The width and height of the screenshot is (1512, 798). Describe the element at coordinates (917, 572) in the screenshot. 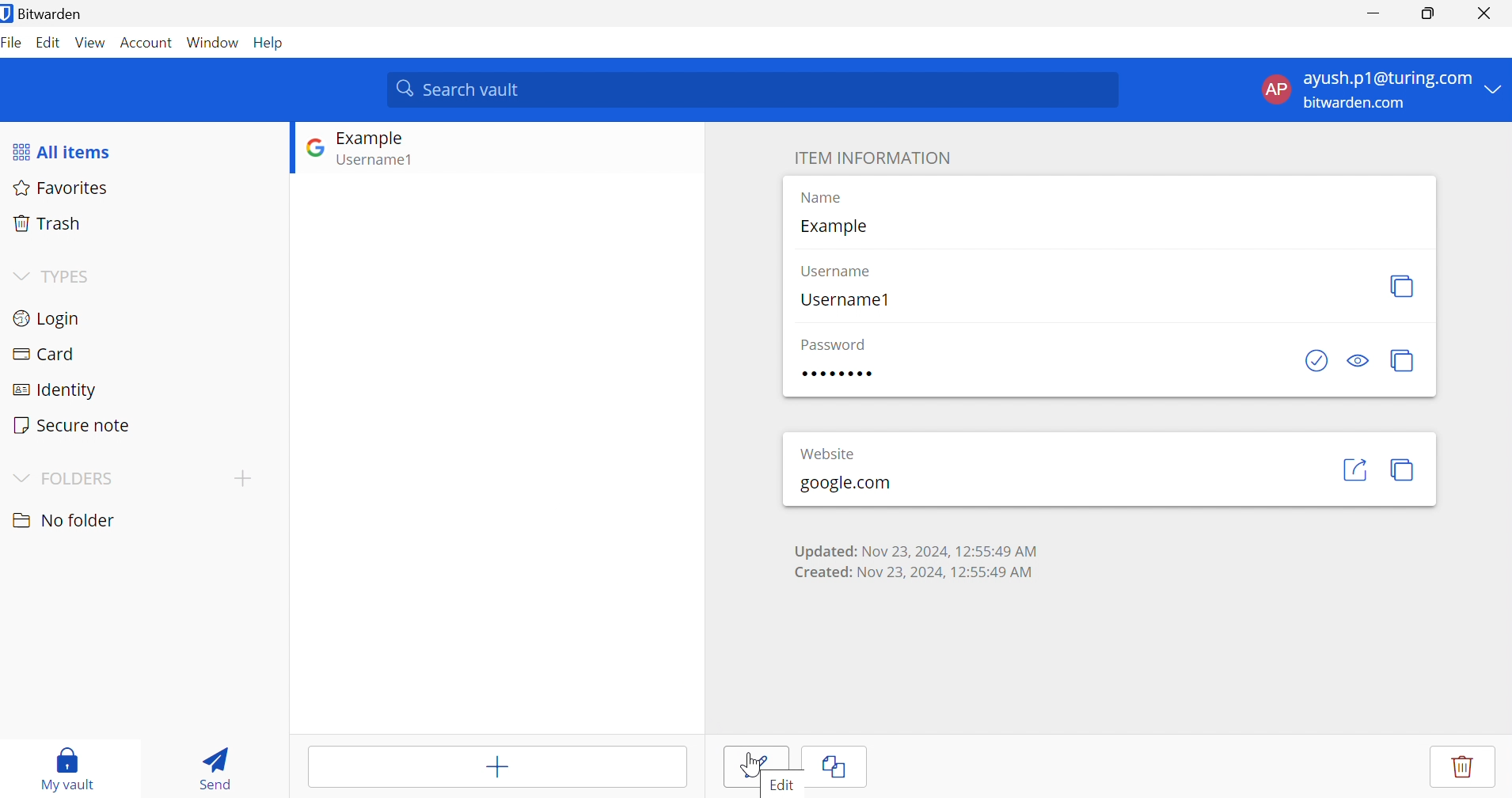

I see `Created: Nov 23, 2024, 12:55:49 AM` at that location.